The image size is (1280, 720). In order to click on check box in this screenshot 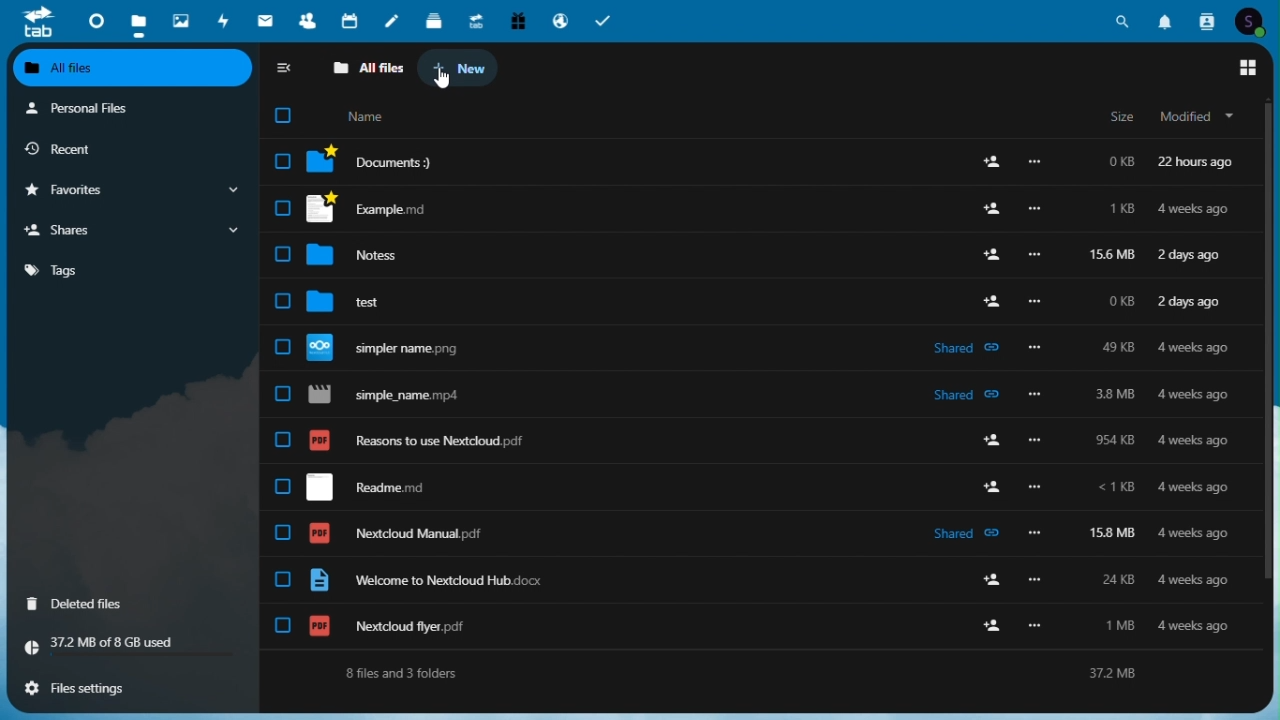, I will do `click(282, 486)`.